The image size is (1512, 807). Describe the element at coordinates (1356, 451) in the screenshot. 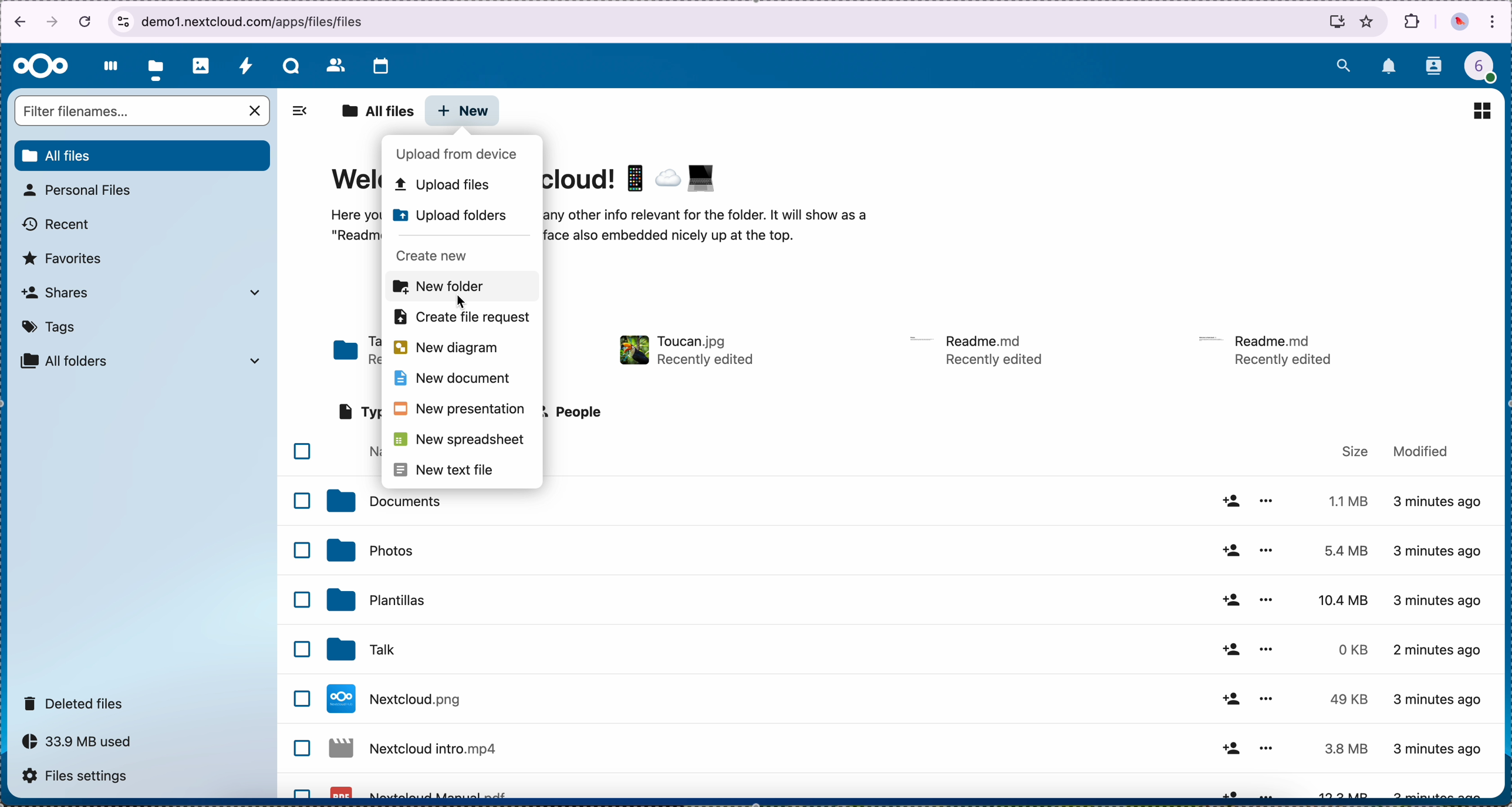

I see `size` at that location.